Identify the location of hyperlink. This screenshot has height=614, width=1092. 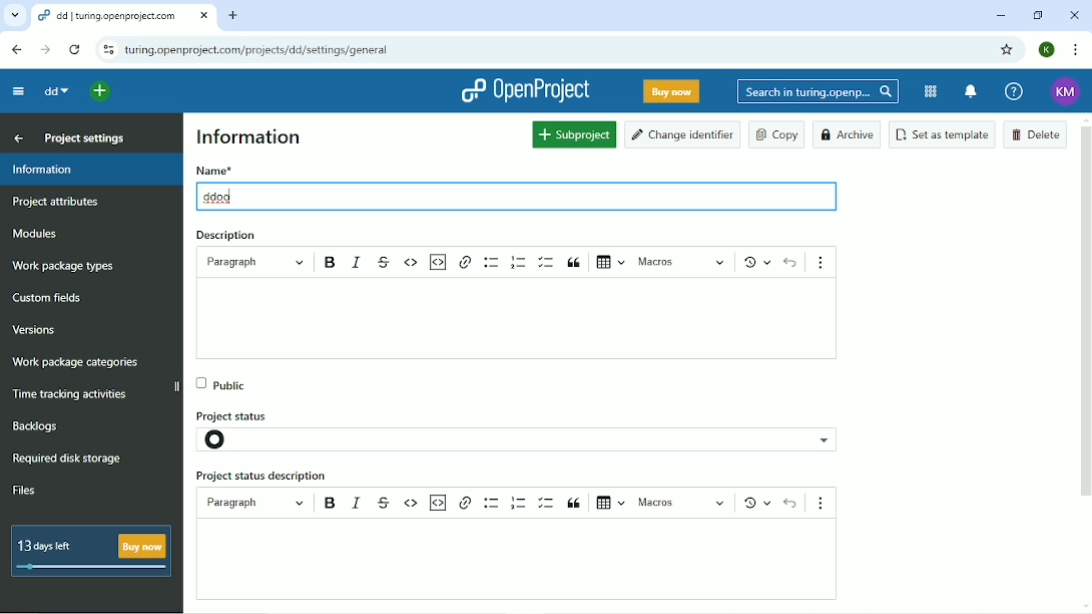
(466, 264).